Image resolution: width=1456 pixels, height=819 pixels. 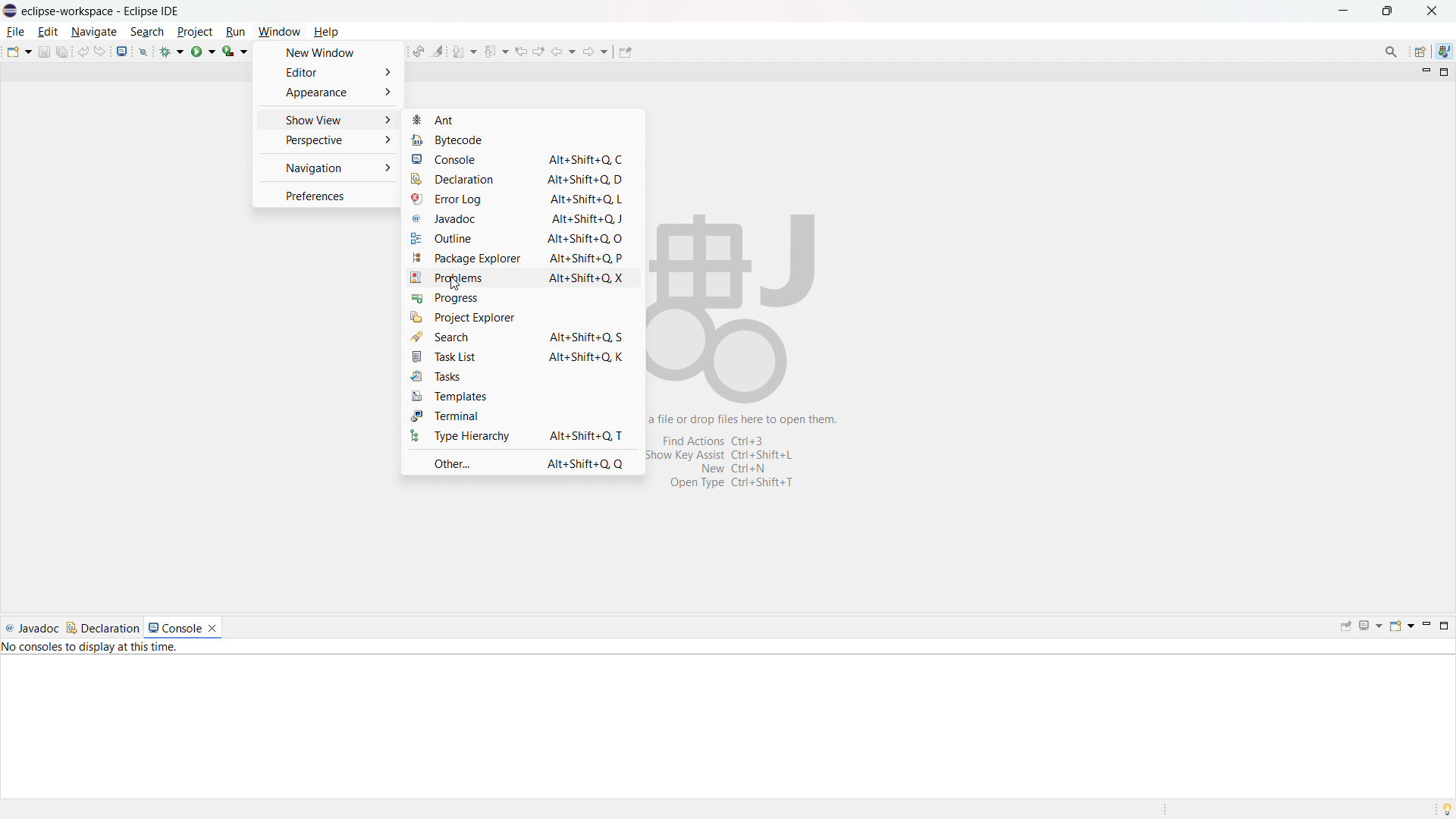 What do you see at coordinates (328, 72) in the screenshot?
I see `editor` at bounding box center [328, 72].